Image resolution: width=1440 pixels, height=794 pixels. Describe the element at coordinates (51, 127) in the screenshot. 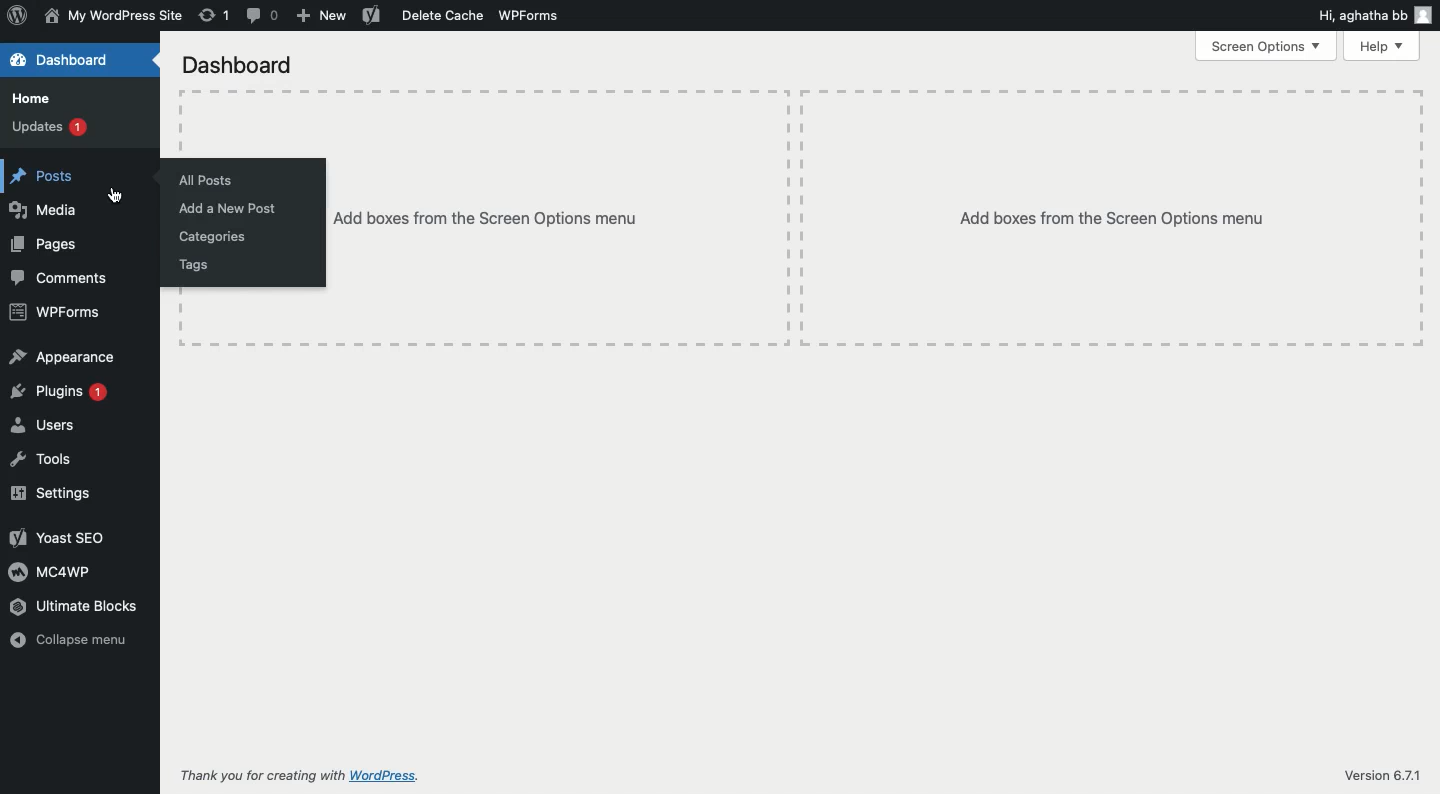

I see `Updates` at that location.